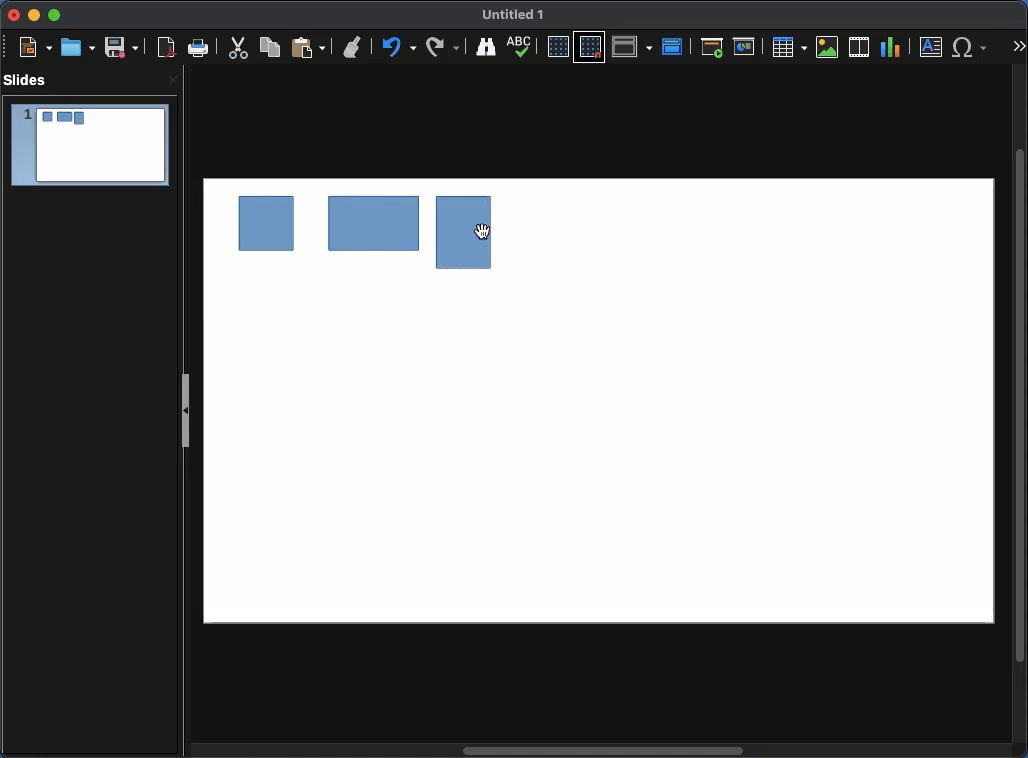 This screenshot has width=1028, height=758. What do you see at coordinates (34, 16) in the screenshot?
I see `Minimize` at bounding box center [34, 16].